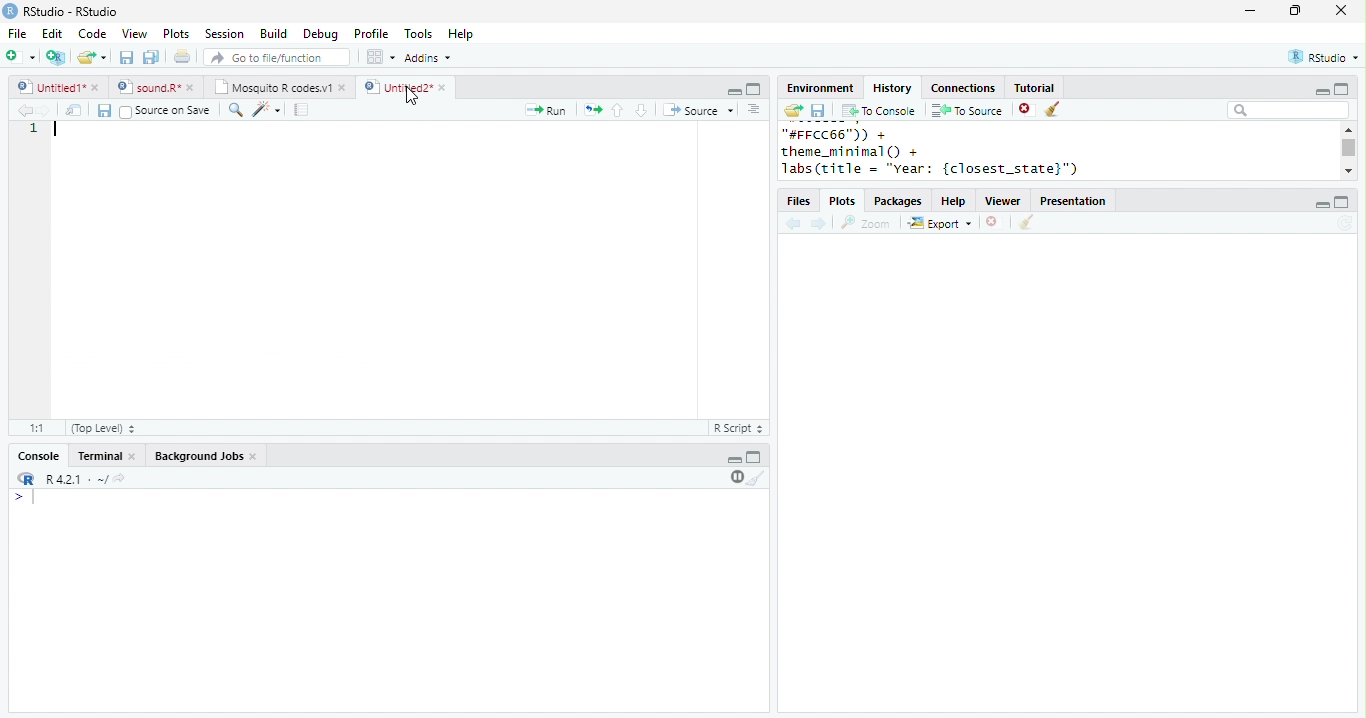 This screenshot has width=1366, height=718. I want to click on minimize, so click(734, 90).